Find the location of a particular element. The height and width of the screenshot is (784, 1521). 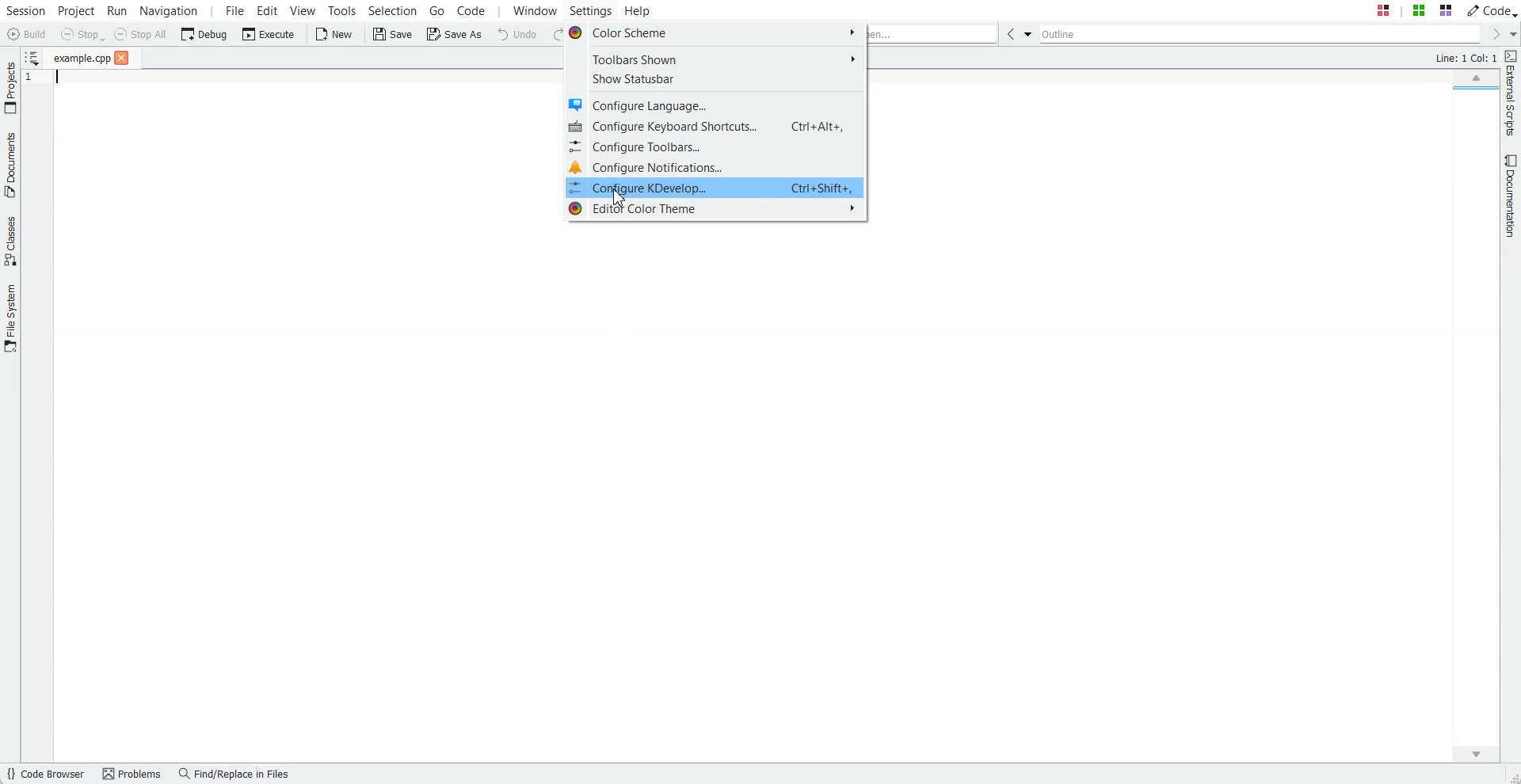

Go Forward is located at coordinates (1492, 35).